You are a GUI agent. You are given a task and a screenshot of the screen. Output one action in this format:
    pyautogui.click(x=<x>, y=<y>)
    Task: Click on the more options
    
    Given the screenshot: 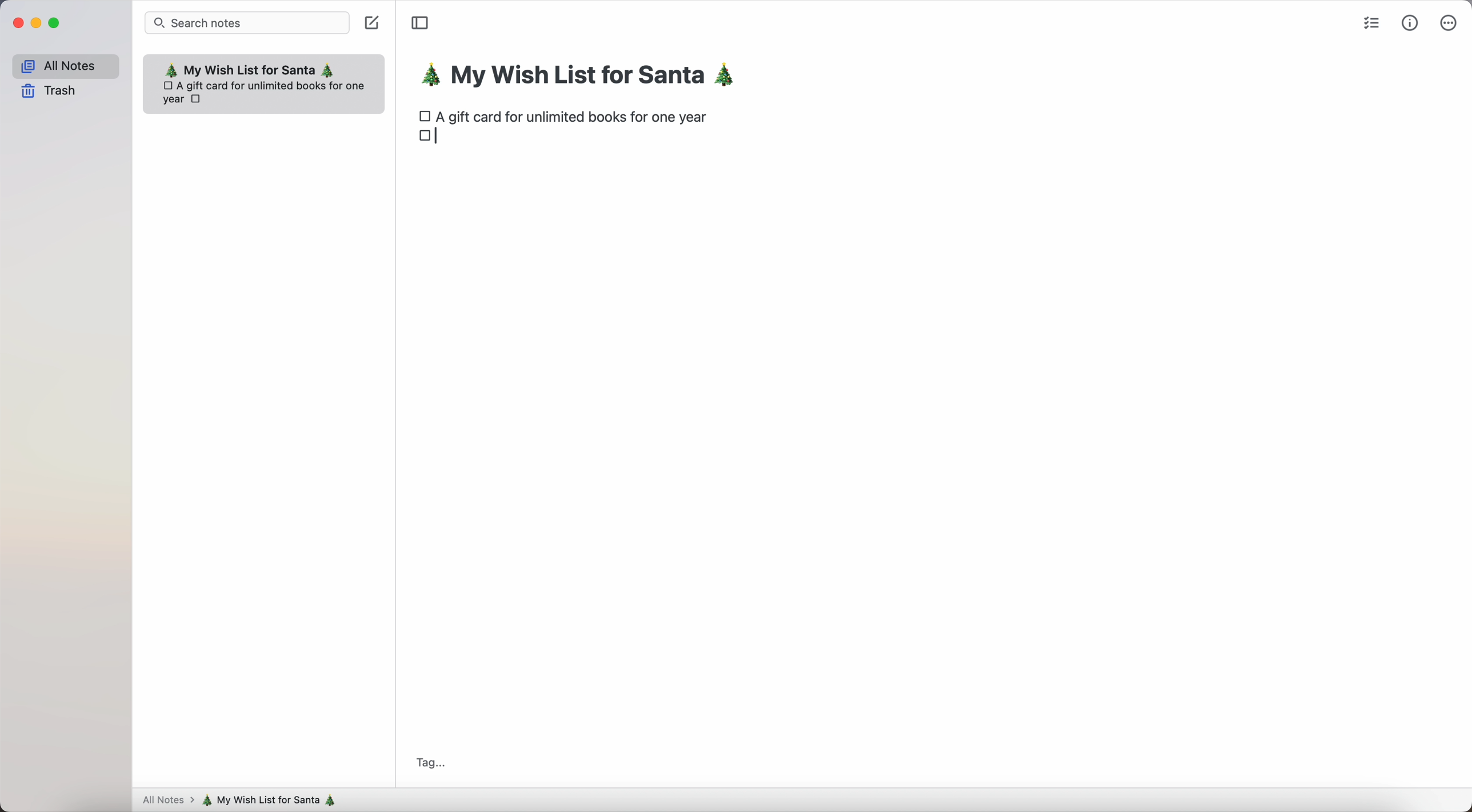 What is the action you would take?
    pyautogui.click(x=1448, y=22)
    